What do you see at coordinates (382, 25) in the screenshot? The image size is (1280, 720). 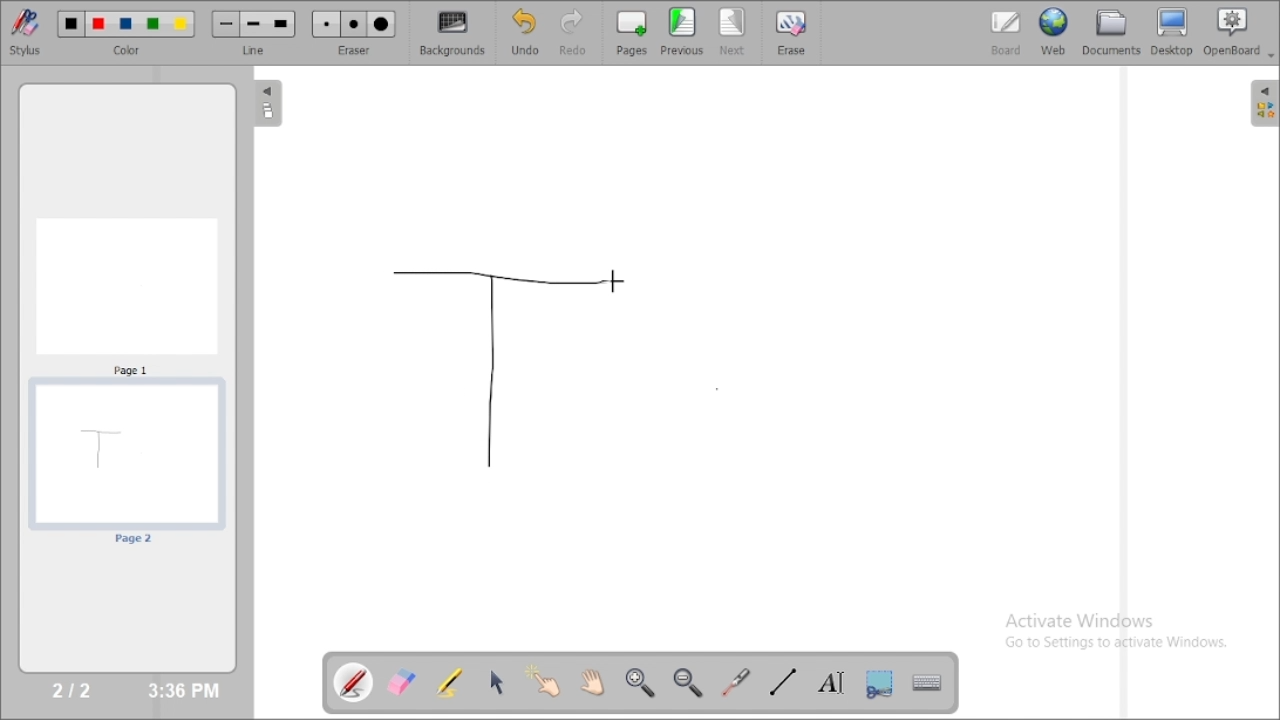 I see `Large eraser` at bounding box center [382, 25].